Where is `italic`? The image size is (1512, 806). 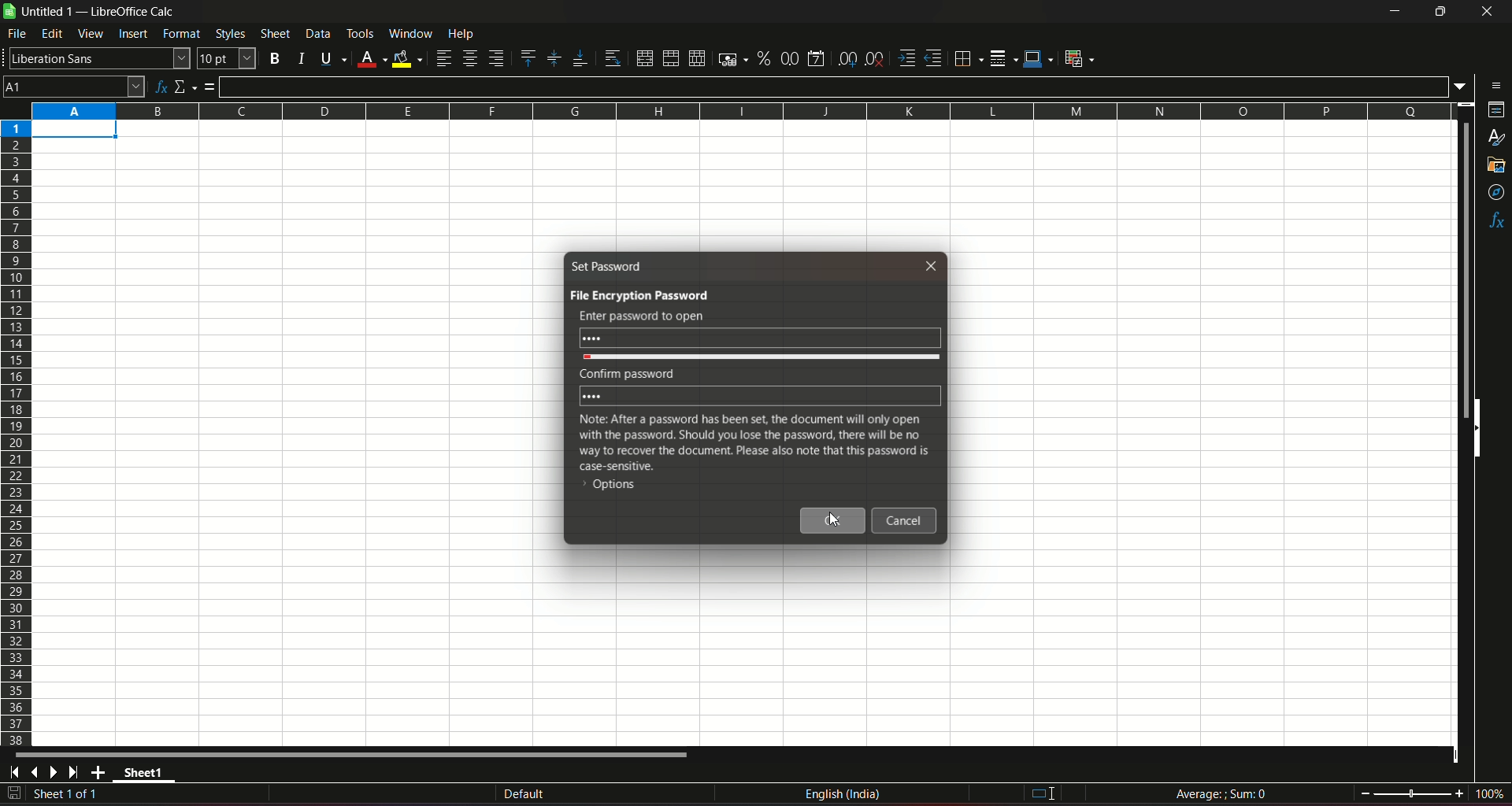 italic is located at coordinates (299, 57).